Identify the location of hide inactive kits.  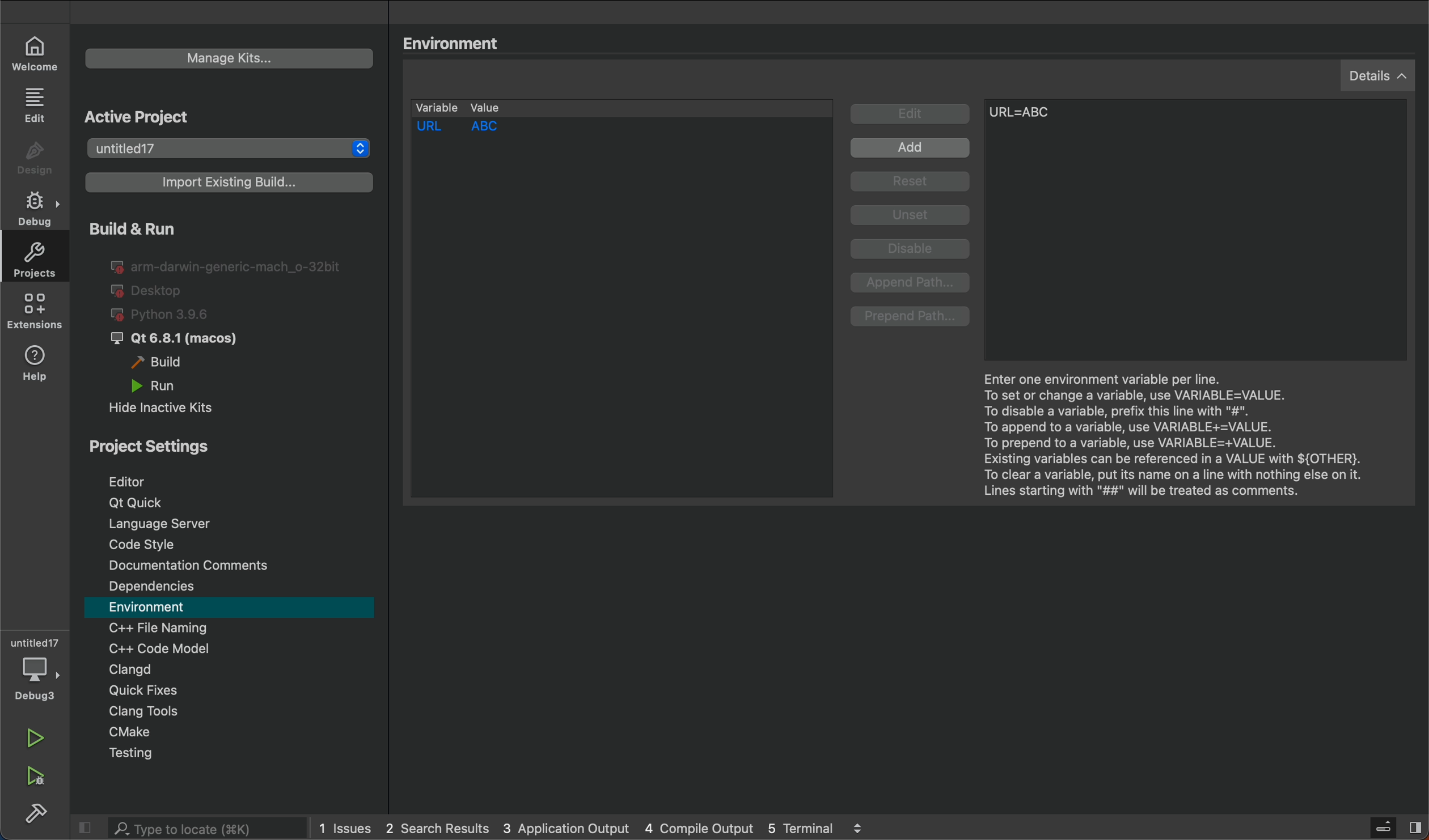
(173, 406).